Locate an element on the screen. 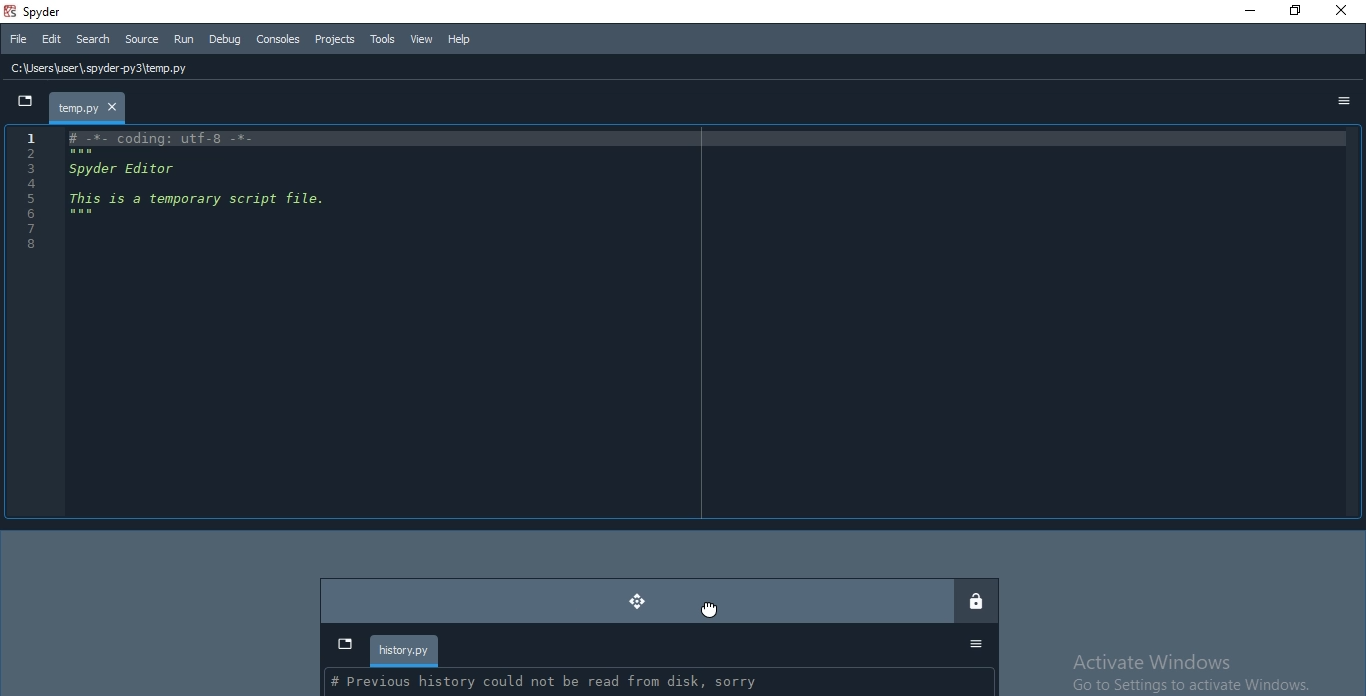 The width and height of the screenshot is (1366, 696). history.py is located at coordinates (404, 649).